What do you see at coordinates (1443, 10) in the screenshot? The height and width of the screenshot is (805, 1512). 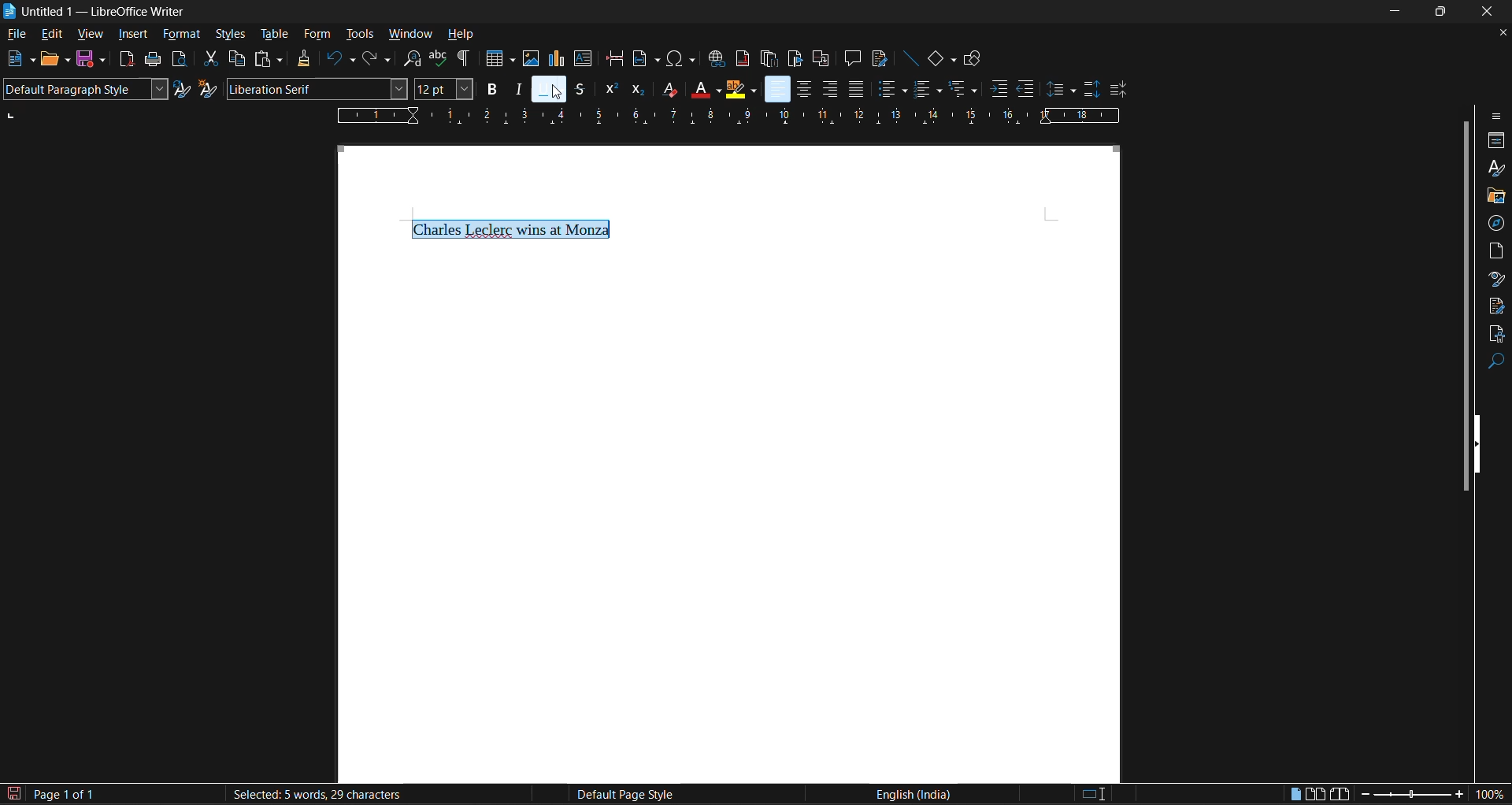 I see `maximize` at bounding box center [1443, 10].